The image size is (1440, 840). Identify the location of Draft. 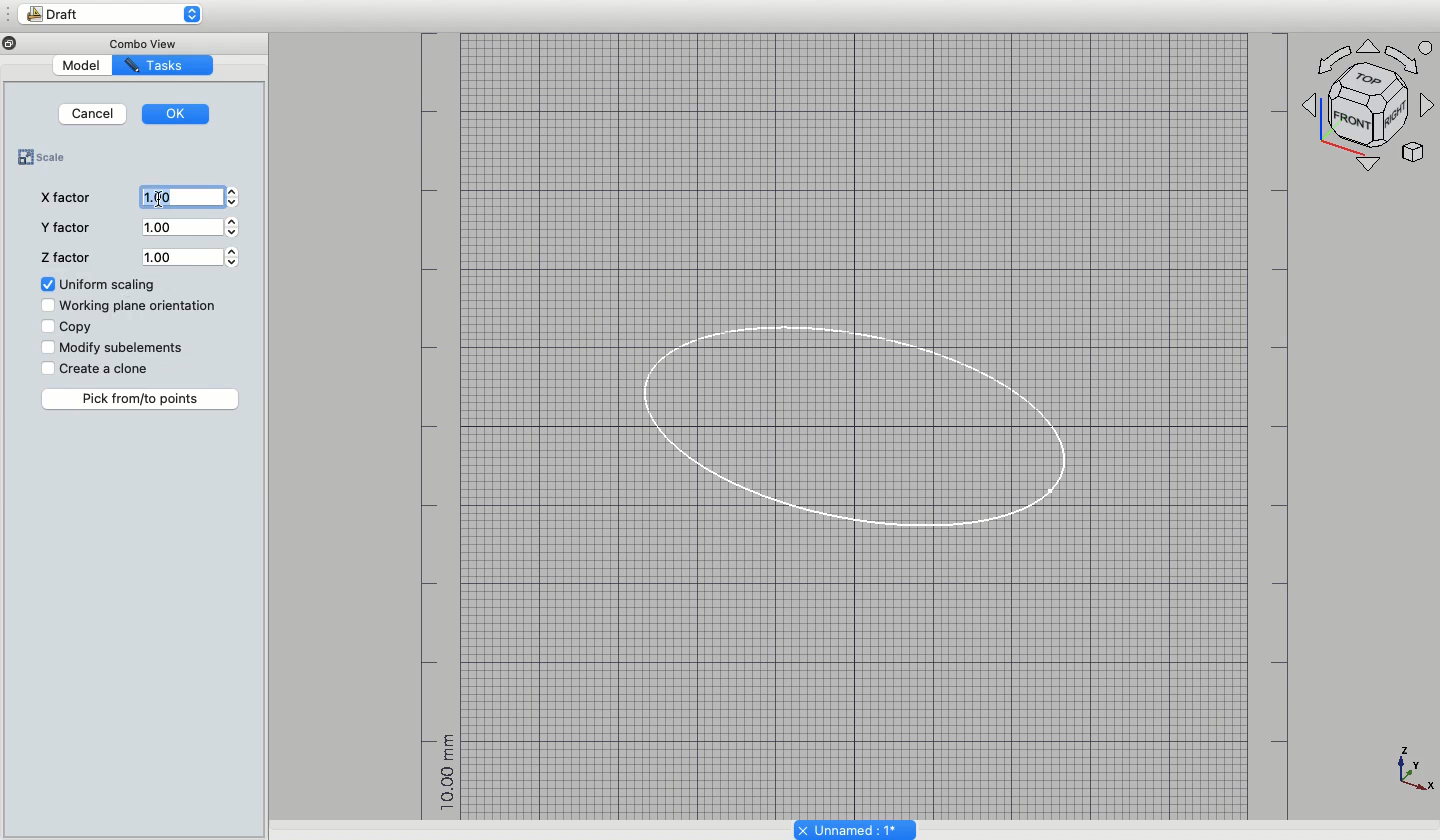
(120, 15).